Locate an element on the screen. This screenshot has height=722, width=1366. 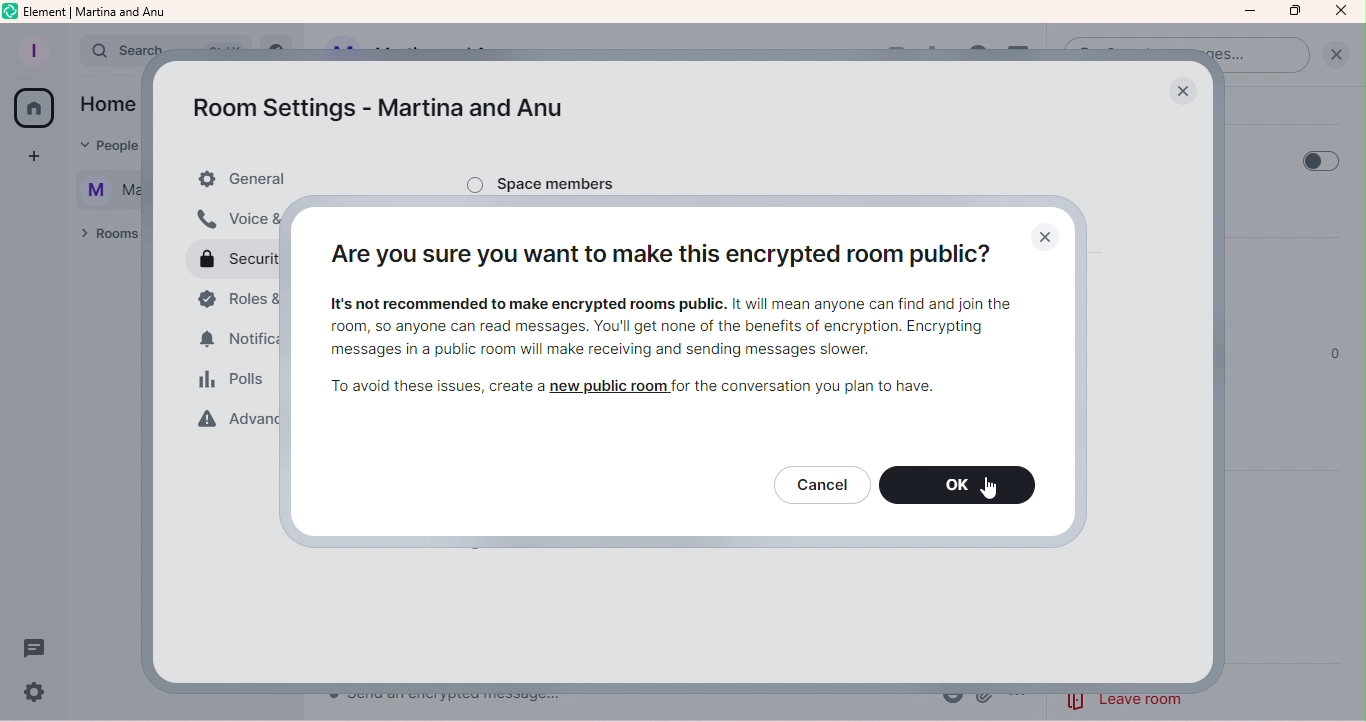
Notifications is located at coordinates (233, 340).